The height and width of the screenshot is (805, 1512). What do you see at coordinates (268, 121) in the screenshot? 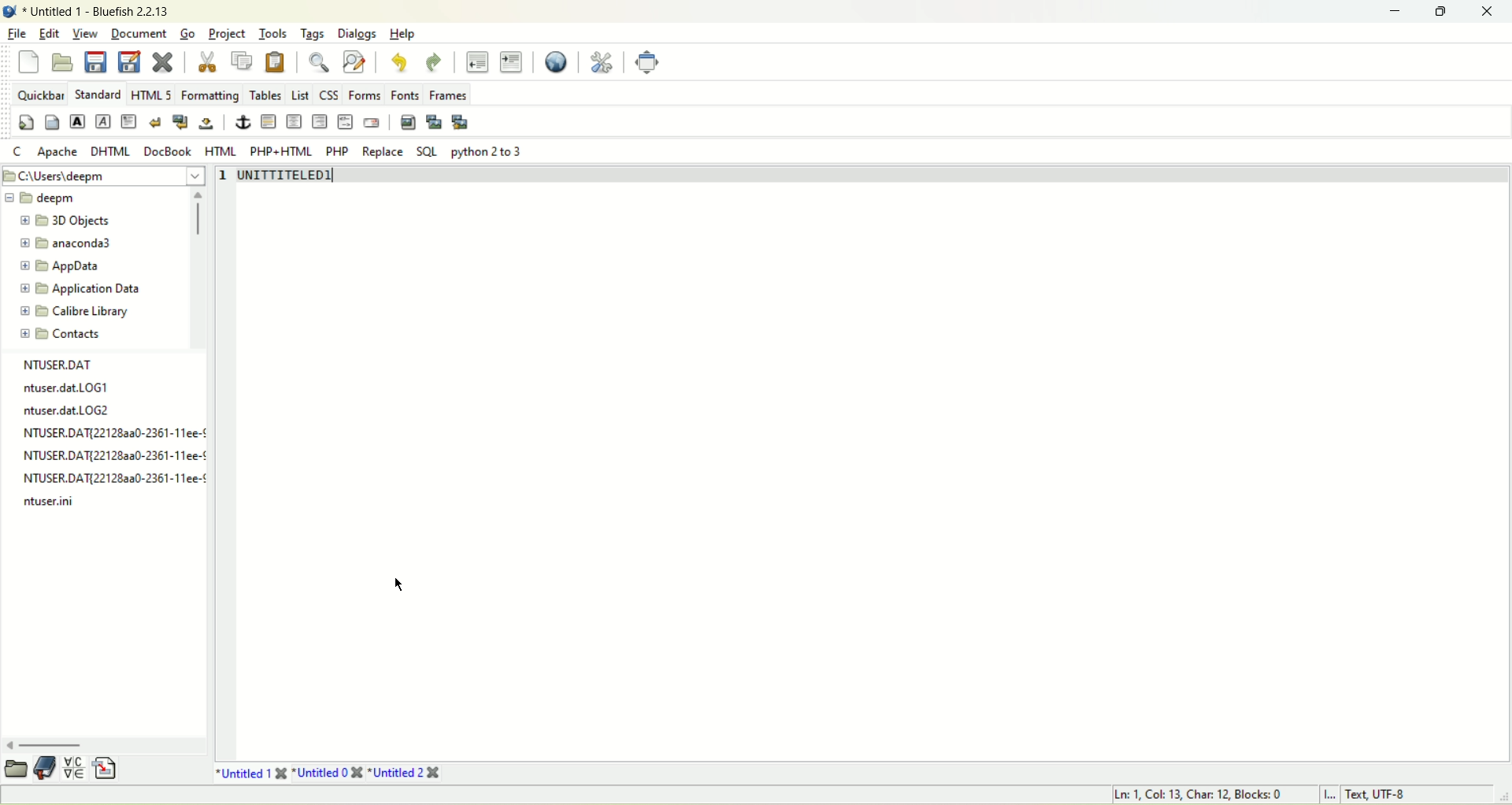
I see `horizontal rule` at bounding box center [268, 121].